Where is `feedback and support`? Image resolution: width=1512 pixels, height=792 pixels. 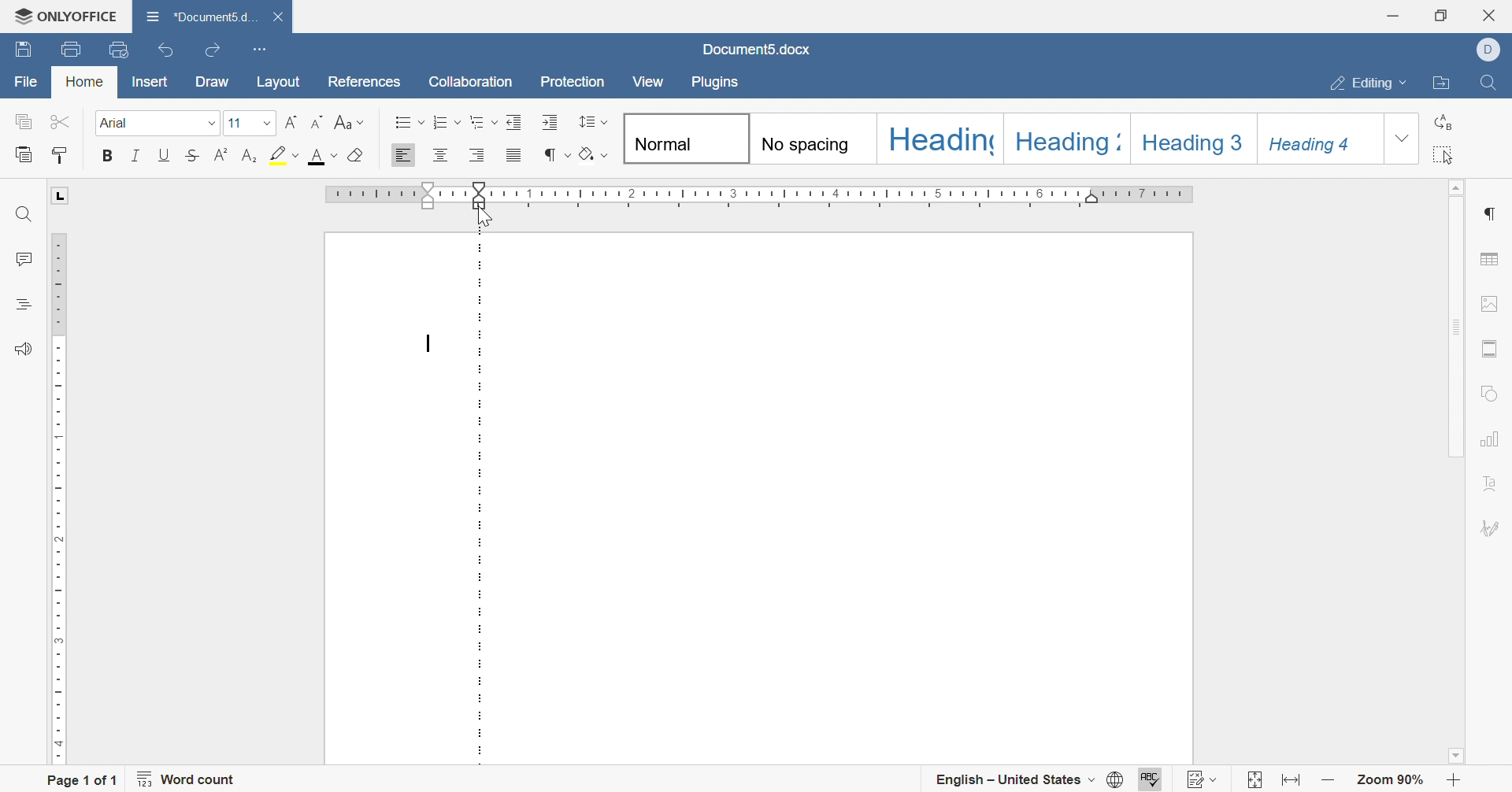
feedback and support is located at coordinates (22, 350).